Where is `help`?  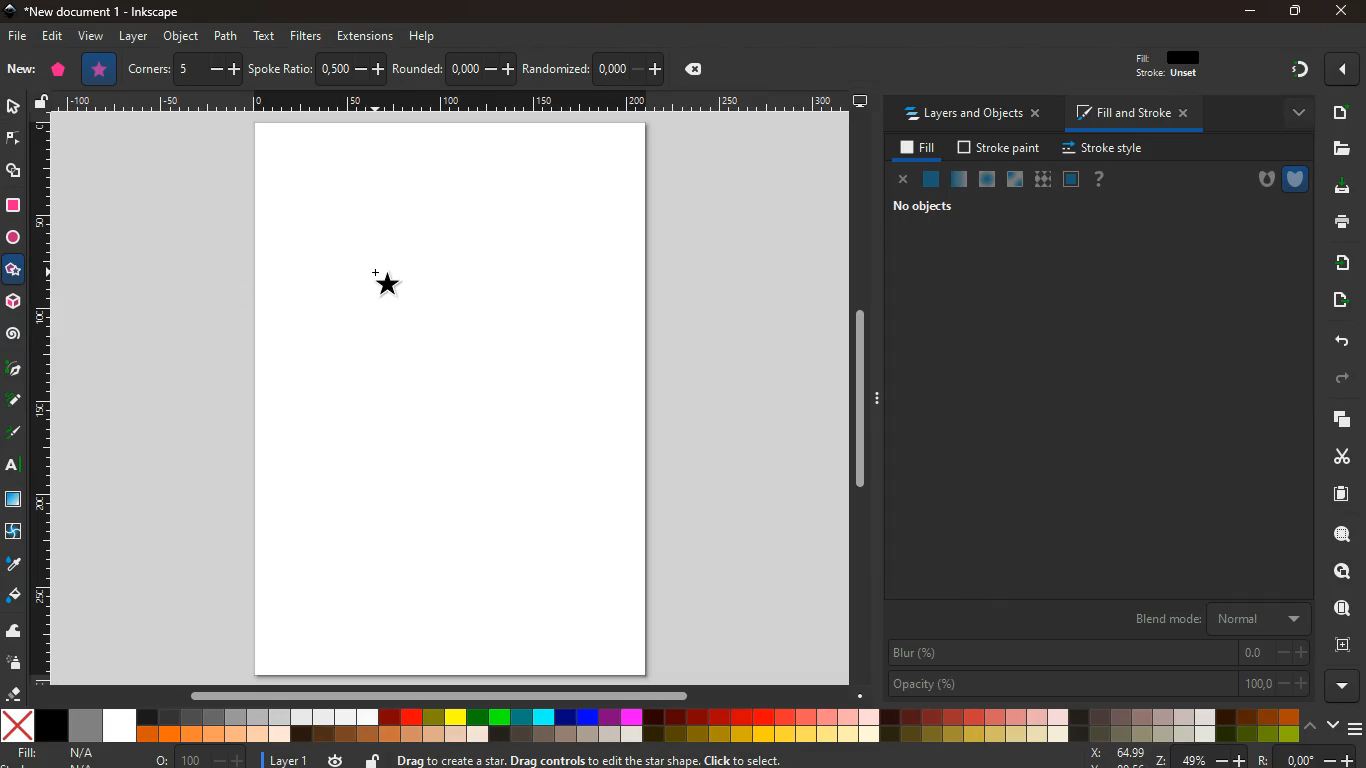 help is located at coordinates (1105, 179).